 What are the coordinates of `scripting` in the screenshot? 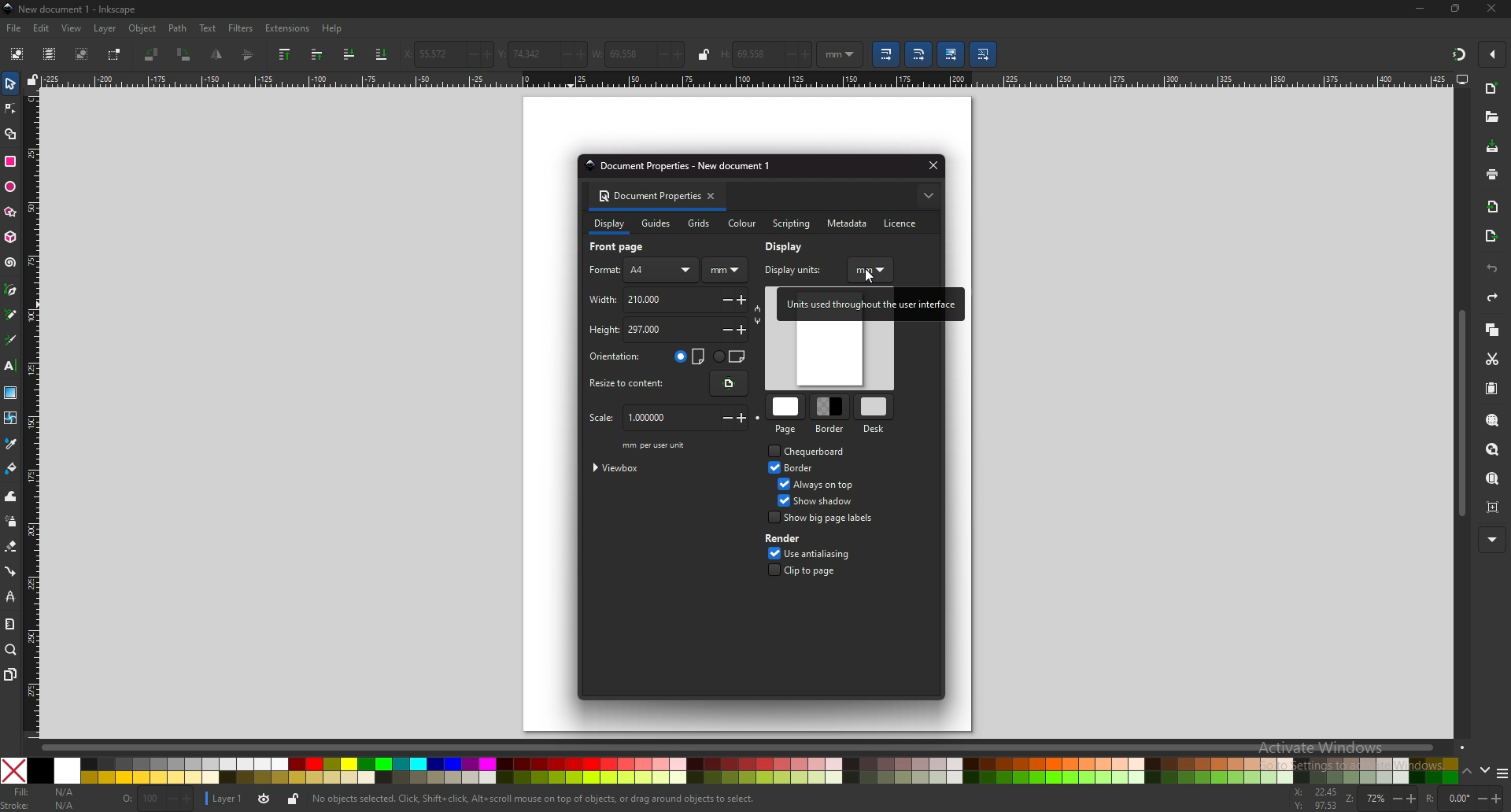 It's located at (789, 223).